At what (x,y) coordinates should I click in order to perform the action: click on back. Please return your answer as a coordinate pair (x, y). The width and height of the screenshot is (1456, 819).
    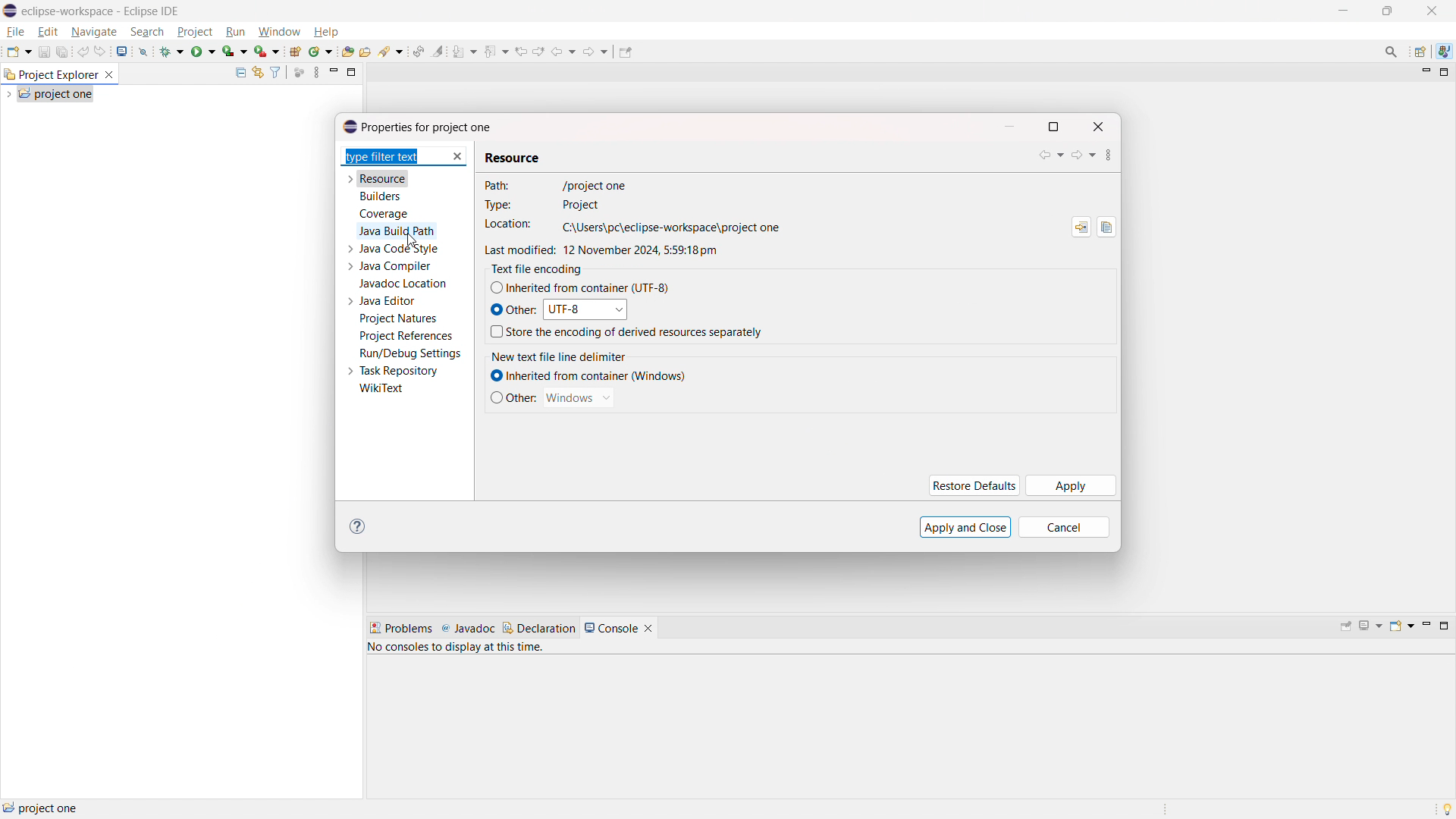
    Looking at the image, I should click on (1051, 155).